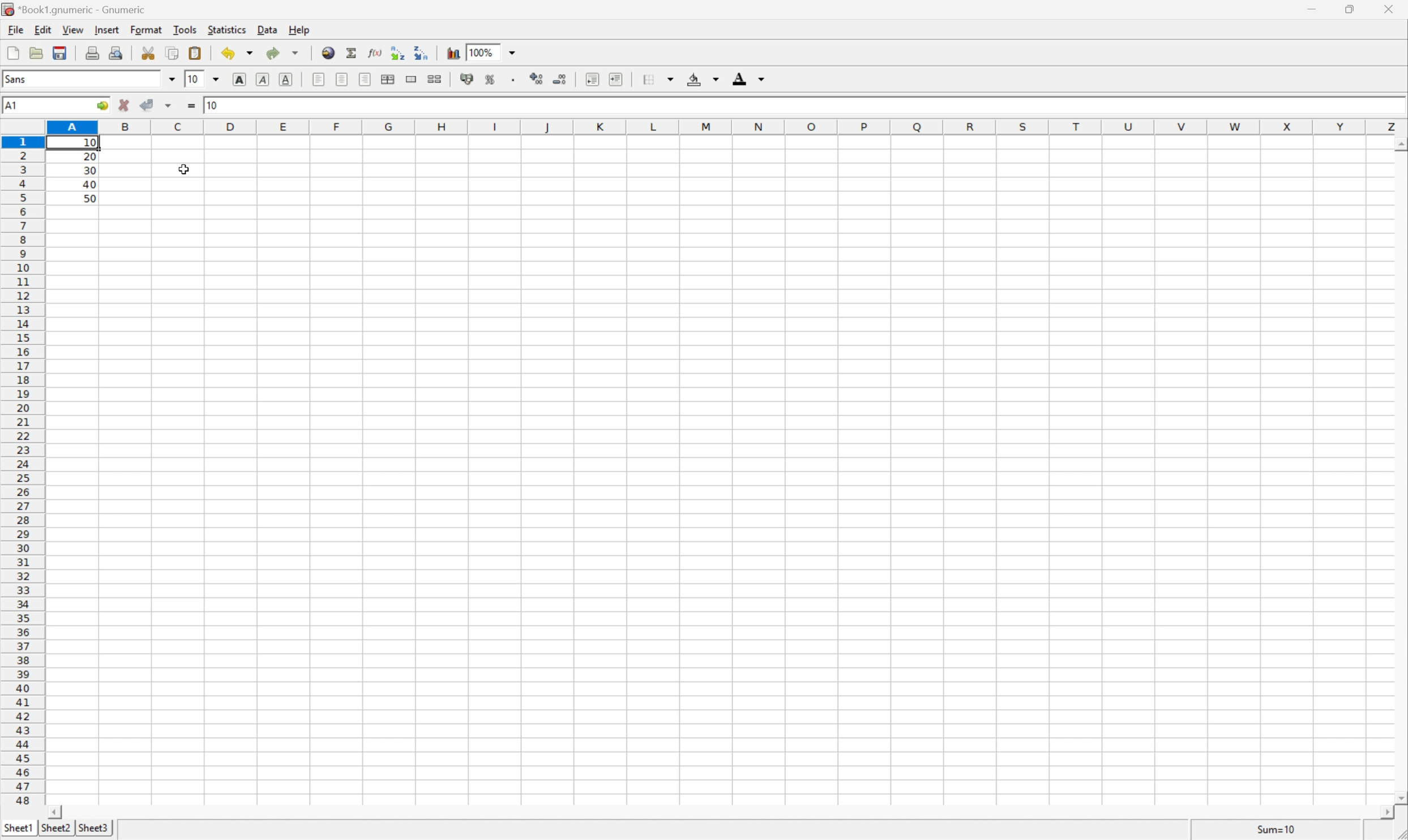  Describe the element at coordinates (226, 54) in the screenshot. I see `Undo` at that location.